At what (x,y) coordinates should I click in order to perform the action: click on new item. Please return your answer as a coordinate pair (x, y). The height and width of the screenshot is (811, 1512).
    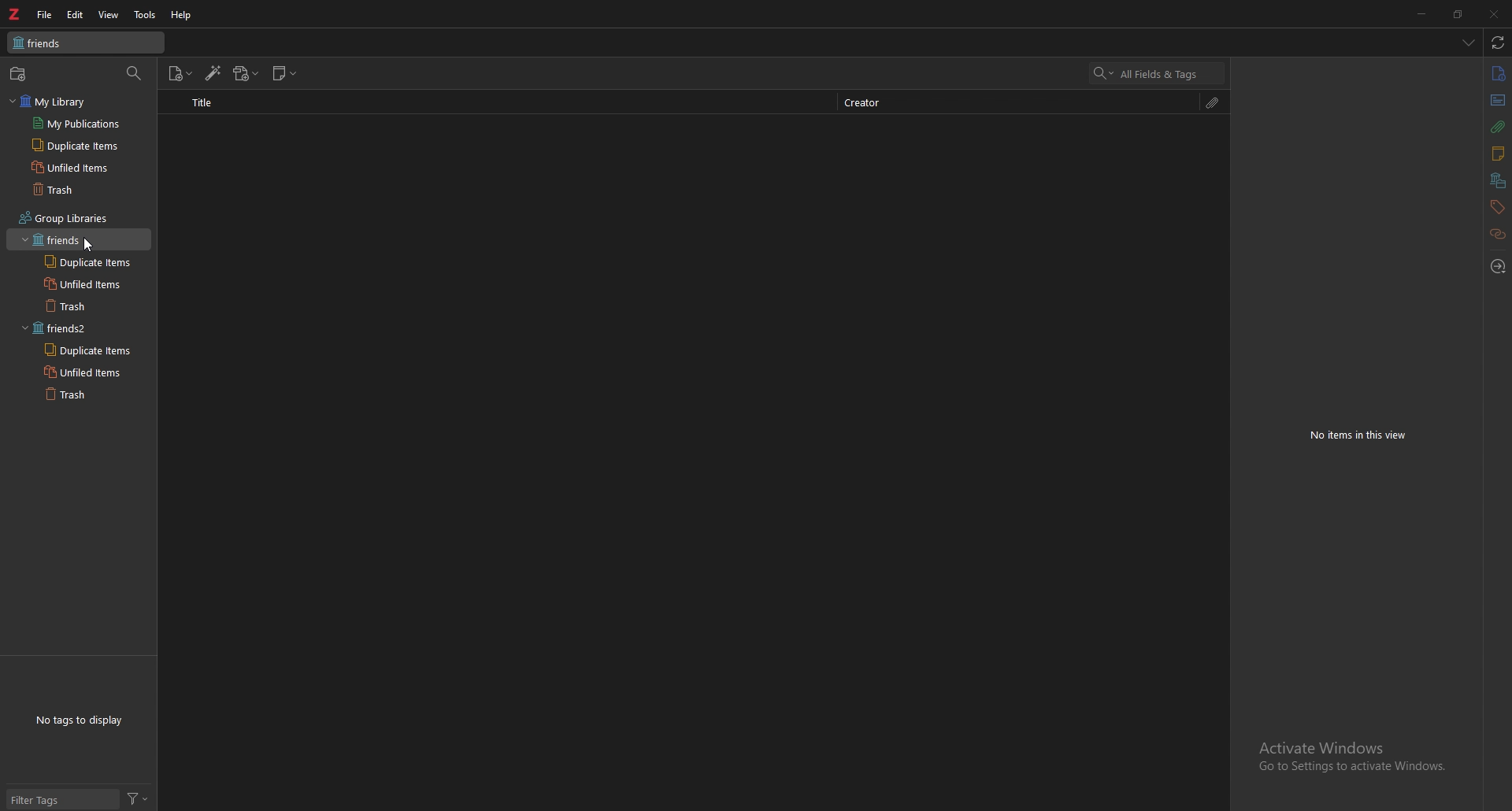
    Looking at the image, I should click on (180, 73).